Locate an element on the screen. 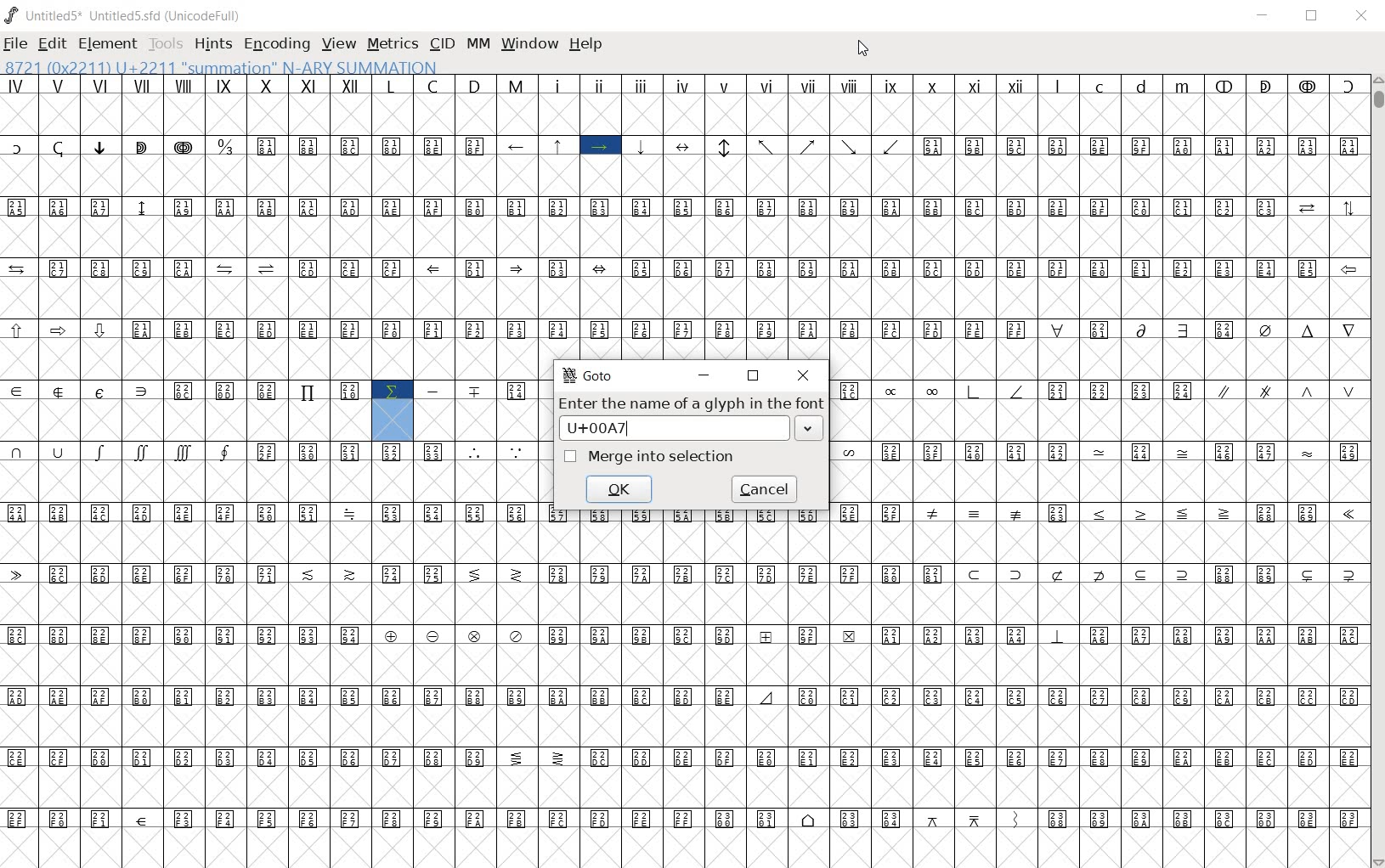  CID is located at coordinates (442, 44).